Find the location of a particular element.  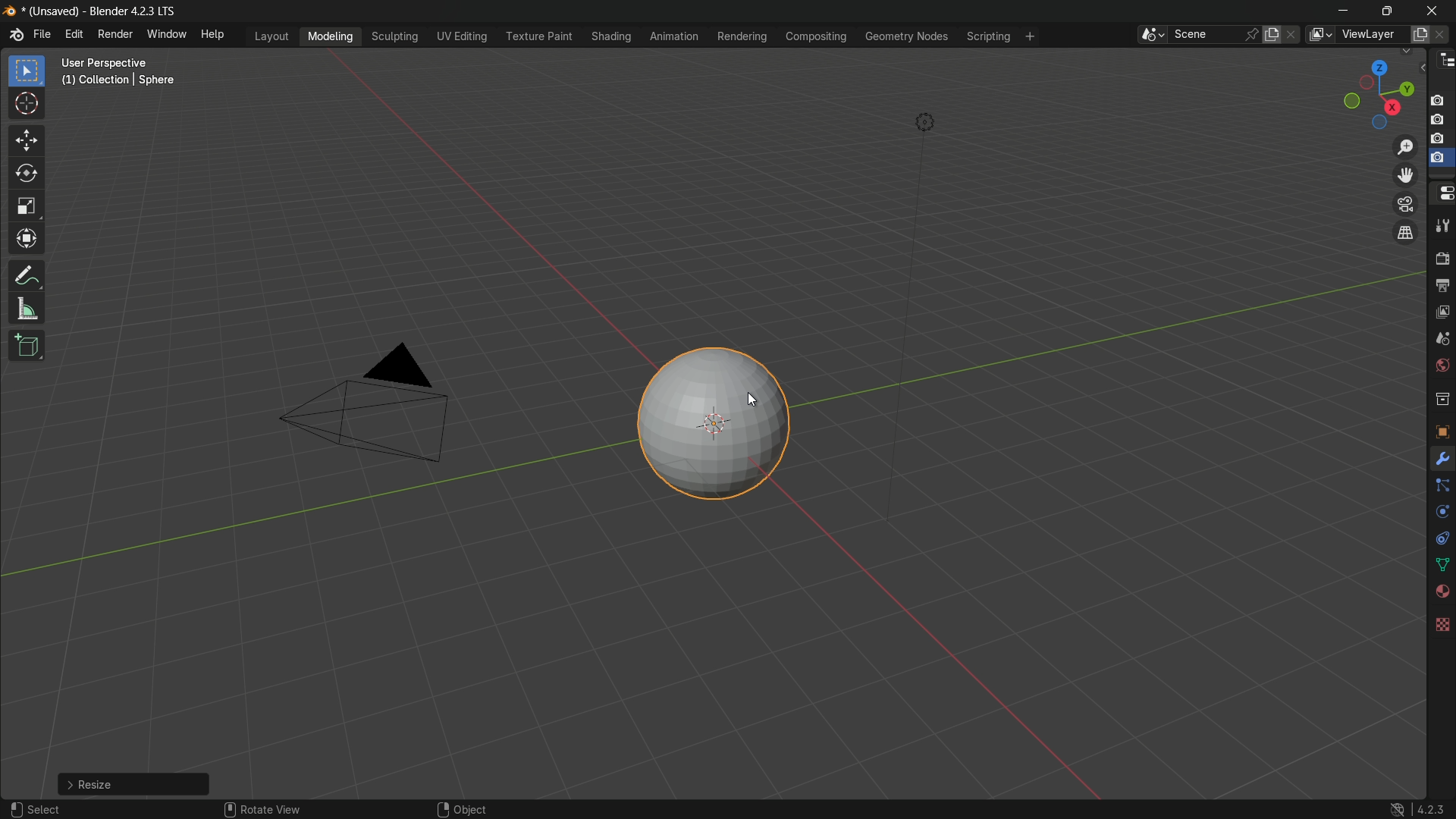

browse views is located at coordinates (1319, 34).